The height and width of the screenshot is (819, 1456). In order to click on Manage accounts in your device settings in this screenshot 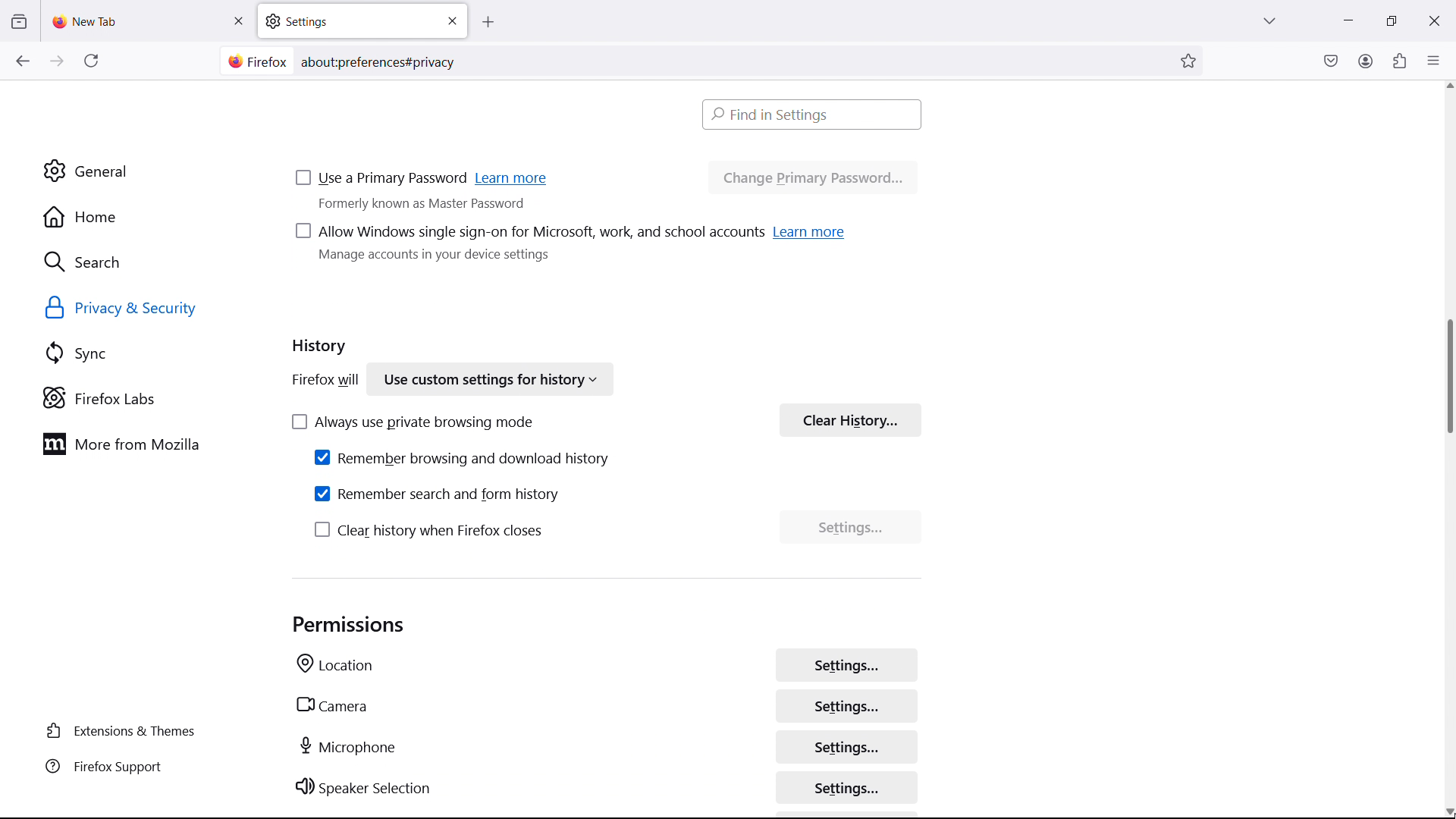, I will do `click(439, 259)`.